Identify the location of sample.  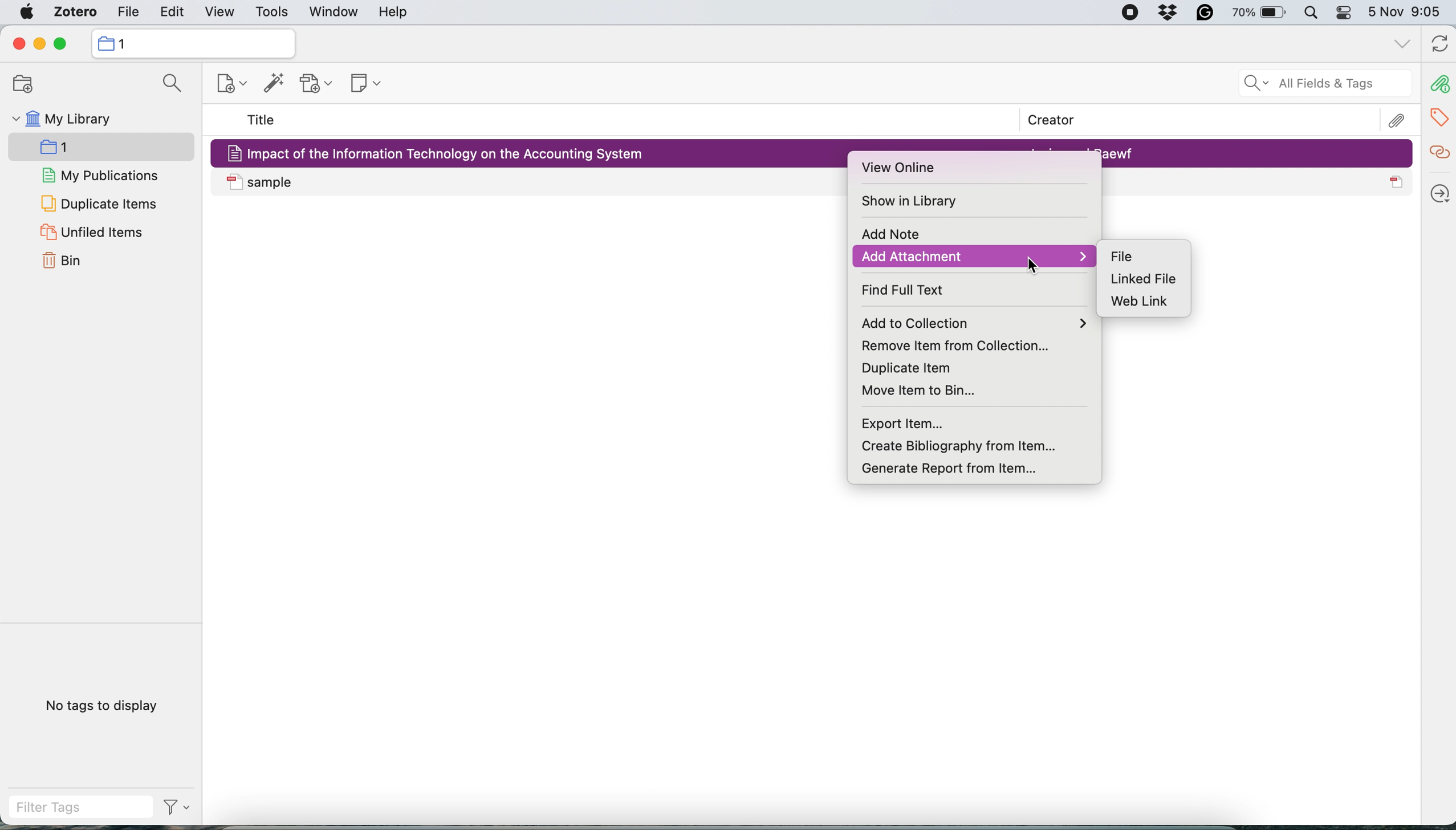
(1258, 182).